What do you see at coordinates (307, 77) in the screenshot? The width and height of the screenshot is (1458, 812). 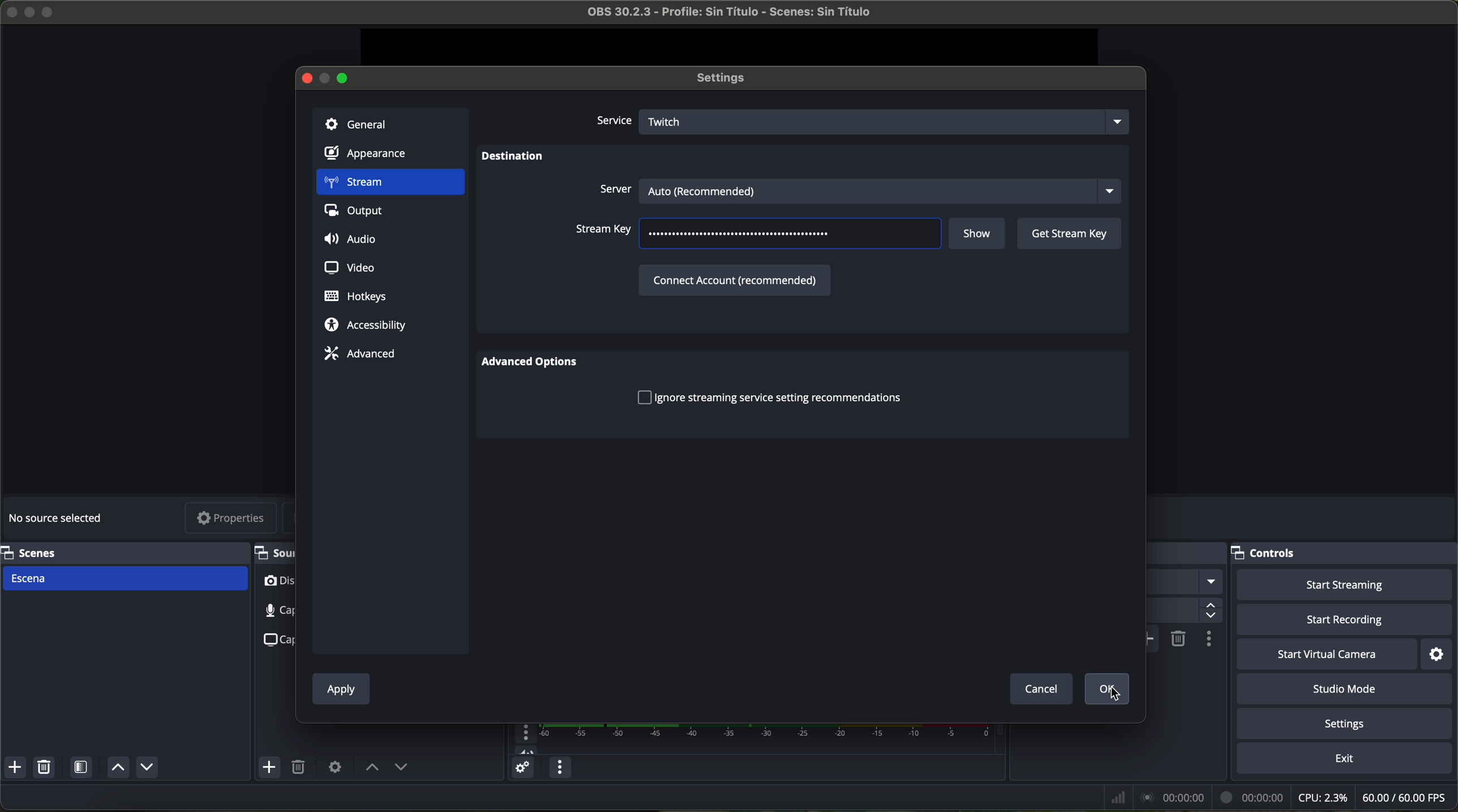 I see `close window` at bounding box center [307, 77].